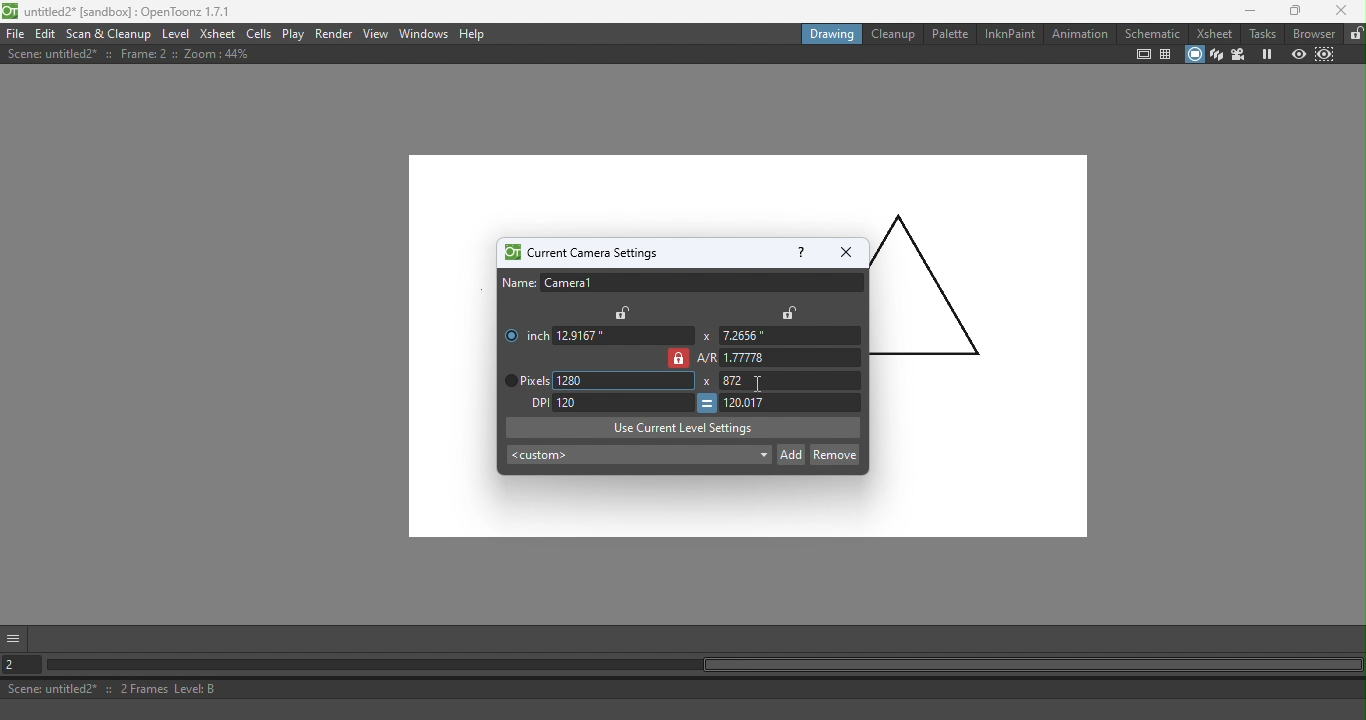 The height and width of the screenshot is (720, 1366). Describe the element at coordinates (1216, 55) in the screenshot. I see `3D view` at that location.